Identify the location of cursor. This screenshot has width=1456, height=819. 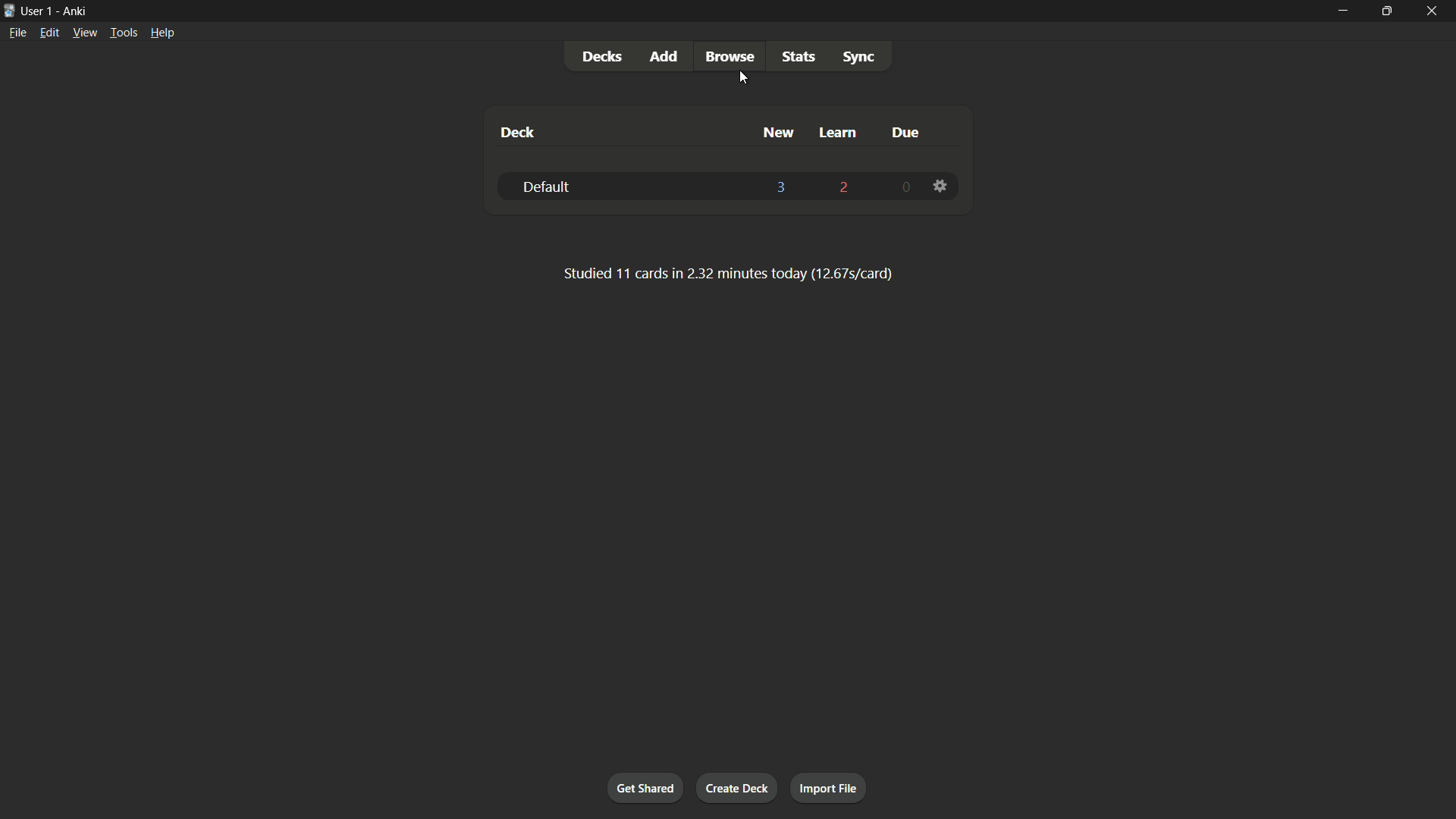
(742, 80).